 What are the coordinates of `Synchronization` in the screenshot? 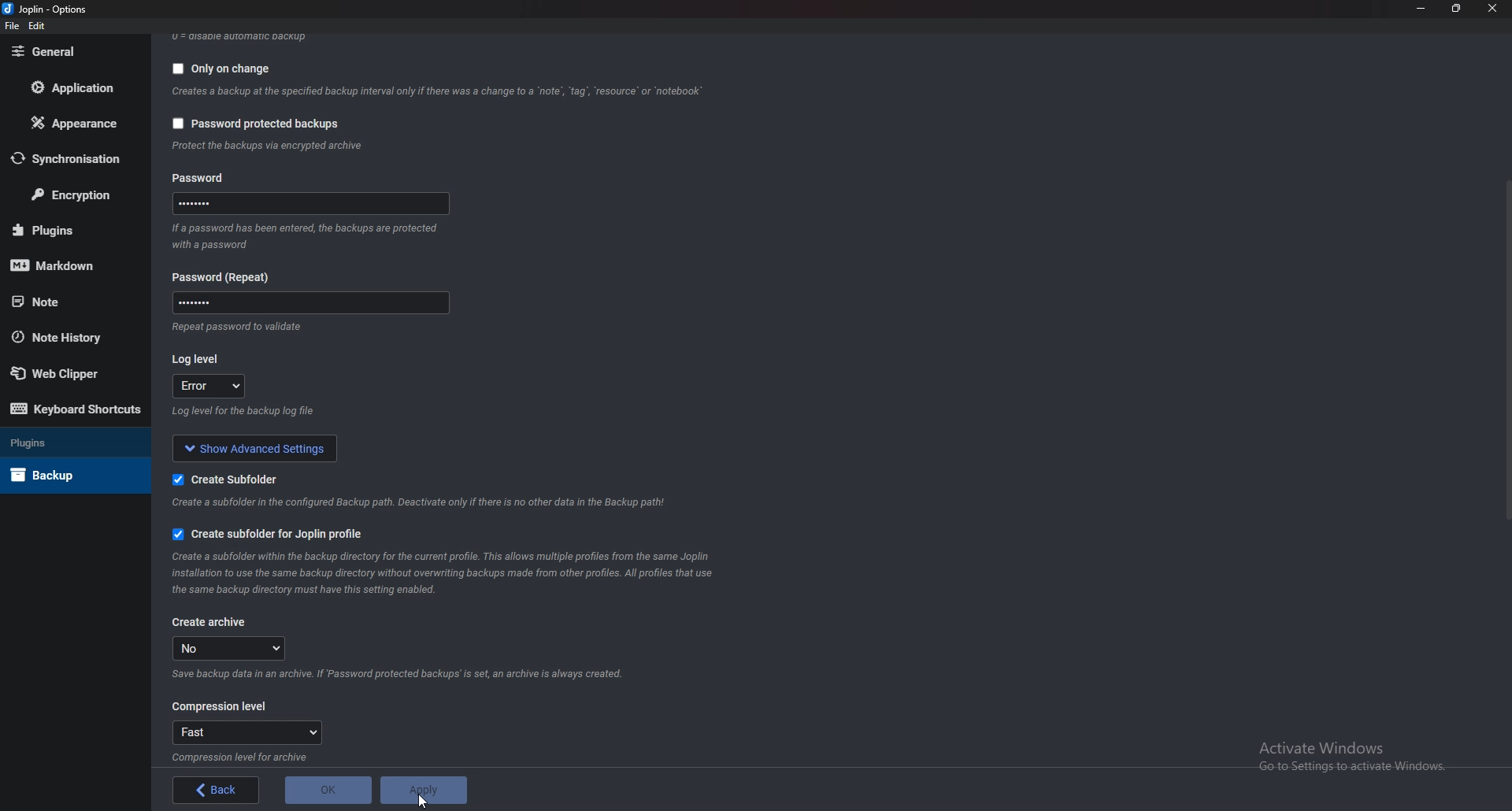 It's located at (76, 161).